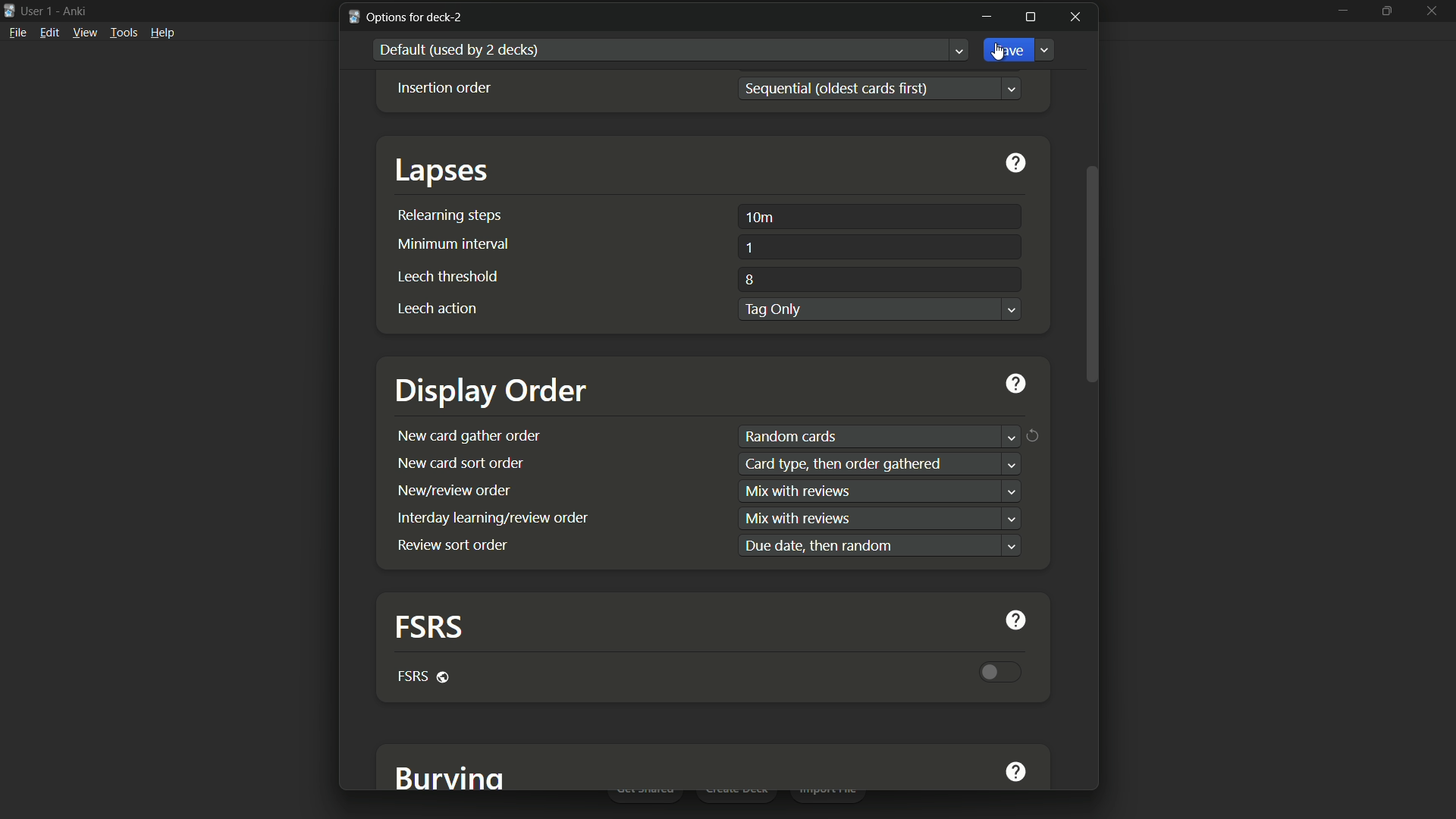  I want to click on leech action, so click(435, 308).